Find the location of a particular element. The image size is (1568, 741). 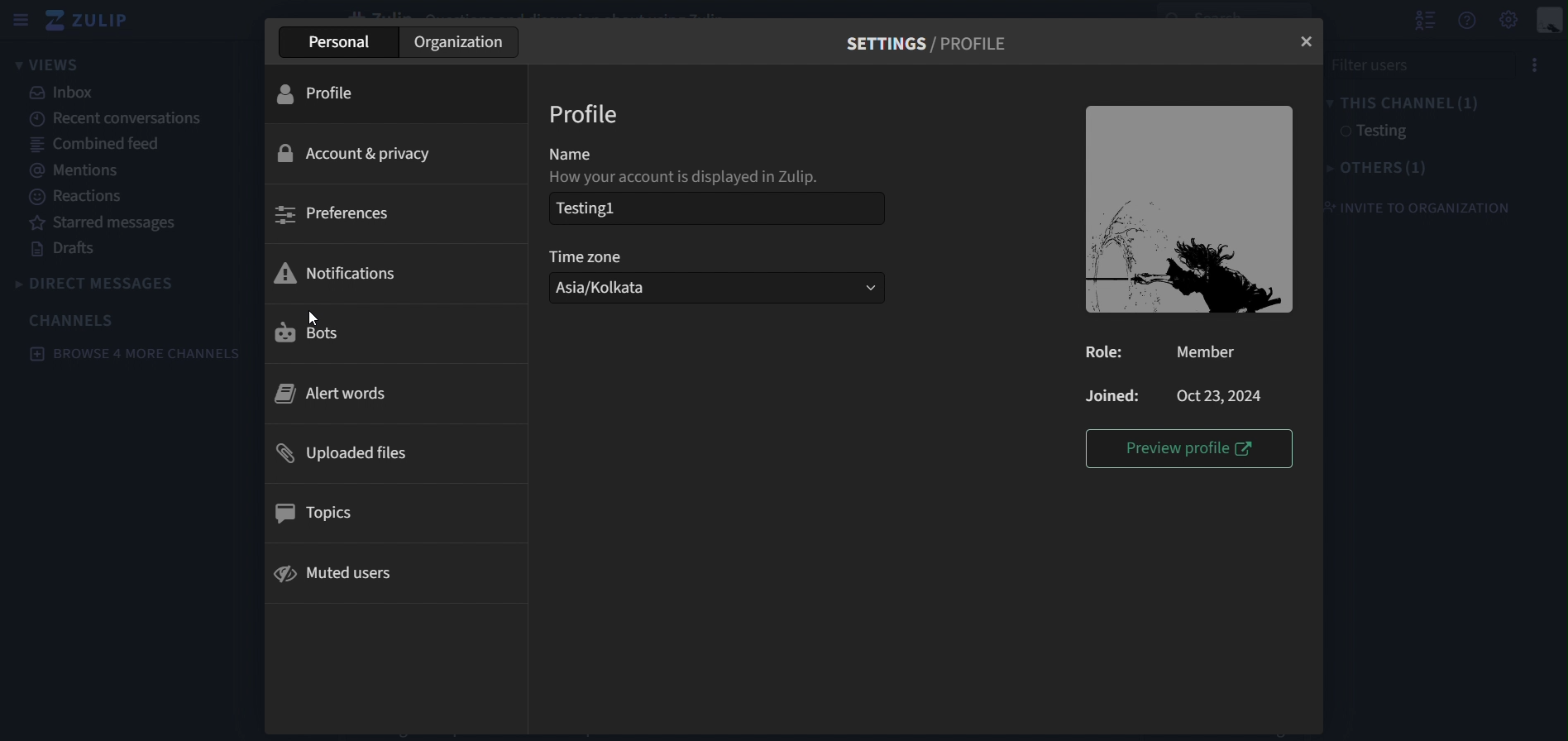

hide sidebar is located at coordinates (17, 22).